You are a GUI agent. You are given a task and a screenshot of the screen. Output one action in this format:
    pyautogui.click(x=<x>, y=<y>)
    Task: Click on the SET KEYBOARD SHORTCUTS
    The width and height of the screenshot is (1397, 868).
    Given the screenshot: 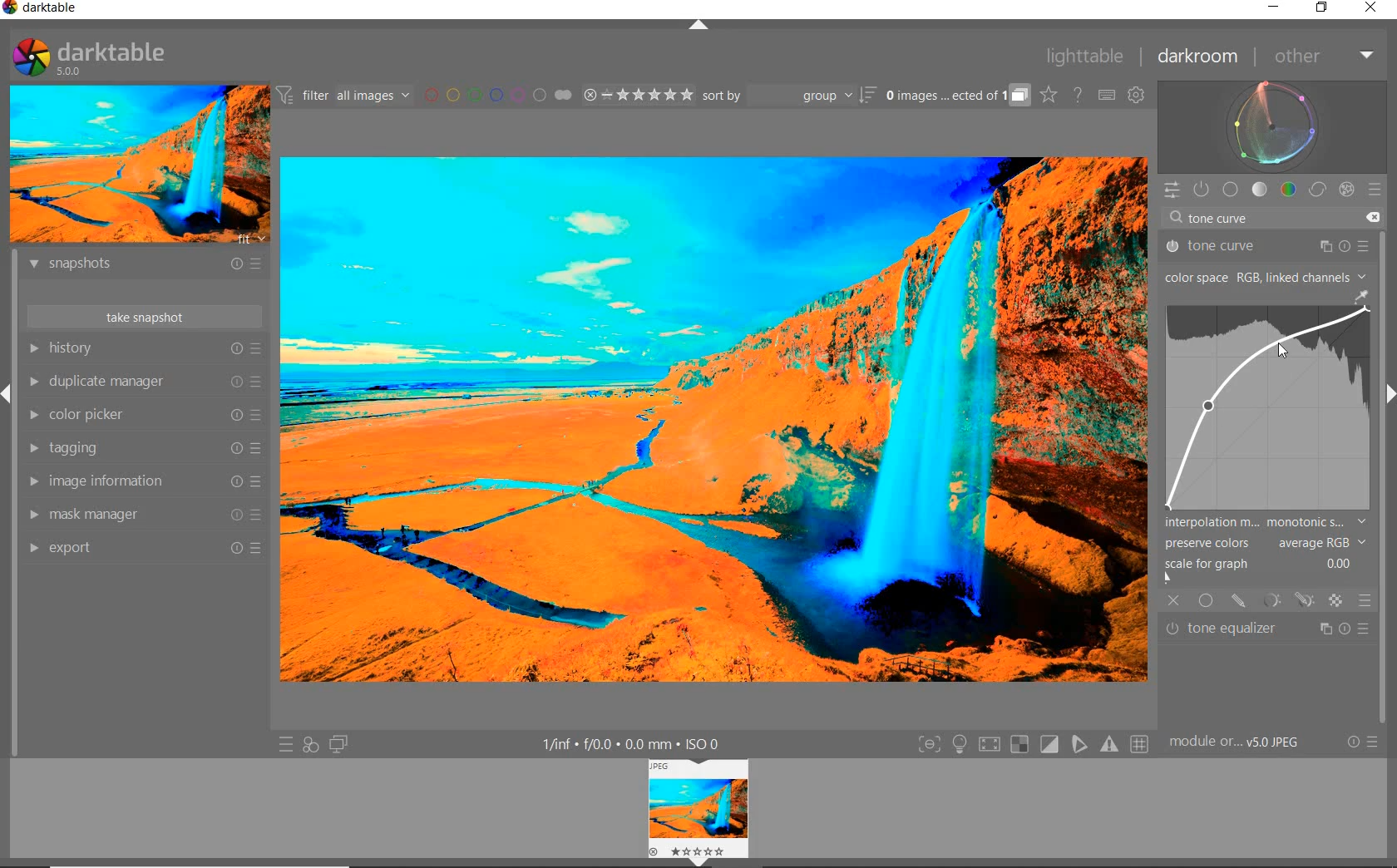 What is the action you would take?
    pyautogui.click(x=1108, y=96)
    